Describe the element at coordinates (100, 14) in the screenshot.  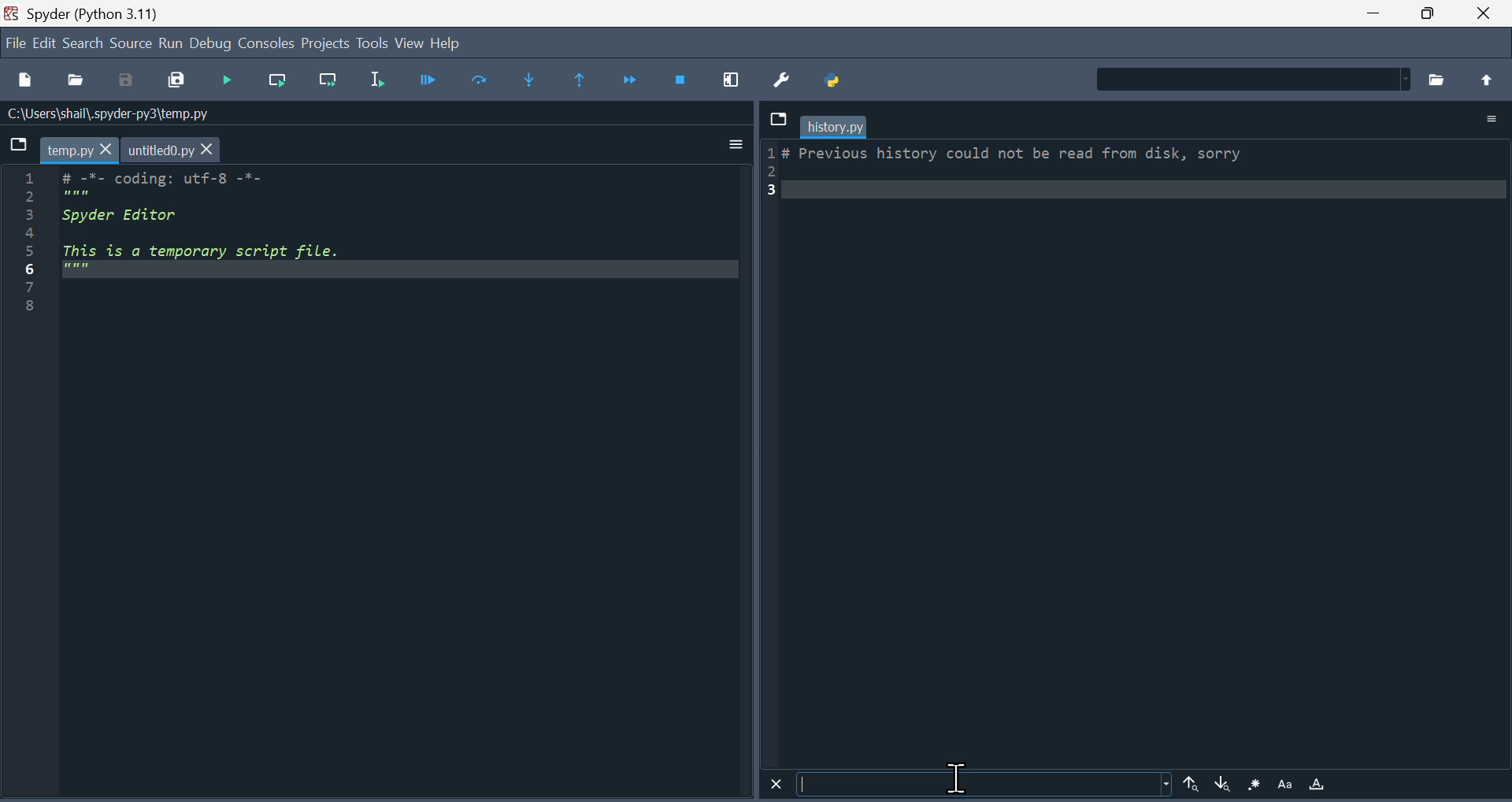
I see `Spyder (Python 3.11)` at that location.